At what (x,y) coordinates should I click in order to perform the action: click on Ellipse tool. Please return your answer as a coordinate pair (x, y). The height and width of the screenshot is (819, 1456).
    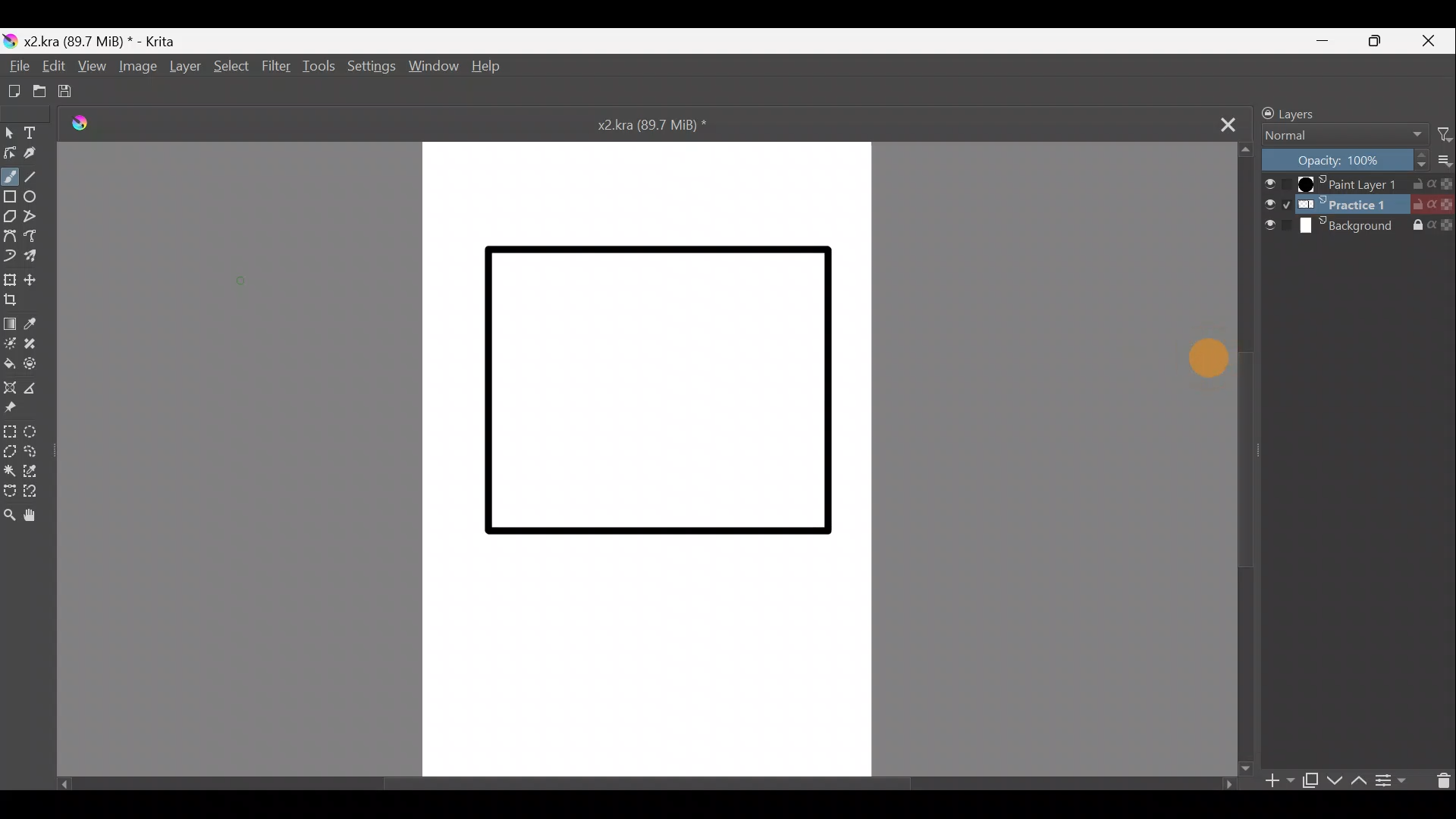
    Looking at the image, I should click on (36, 198).